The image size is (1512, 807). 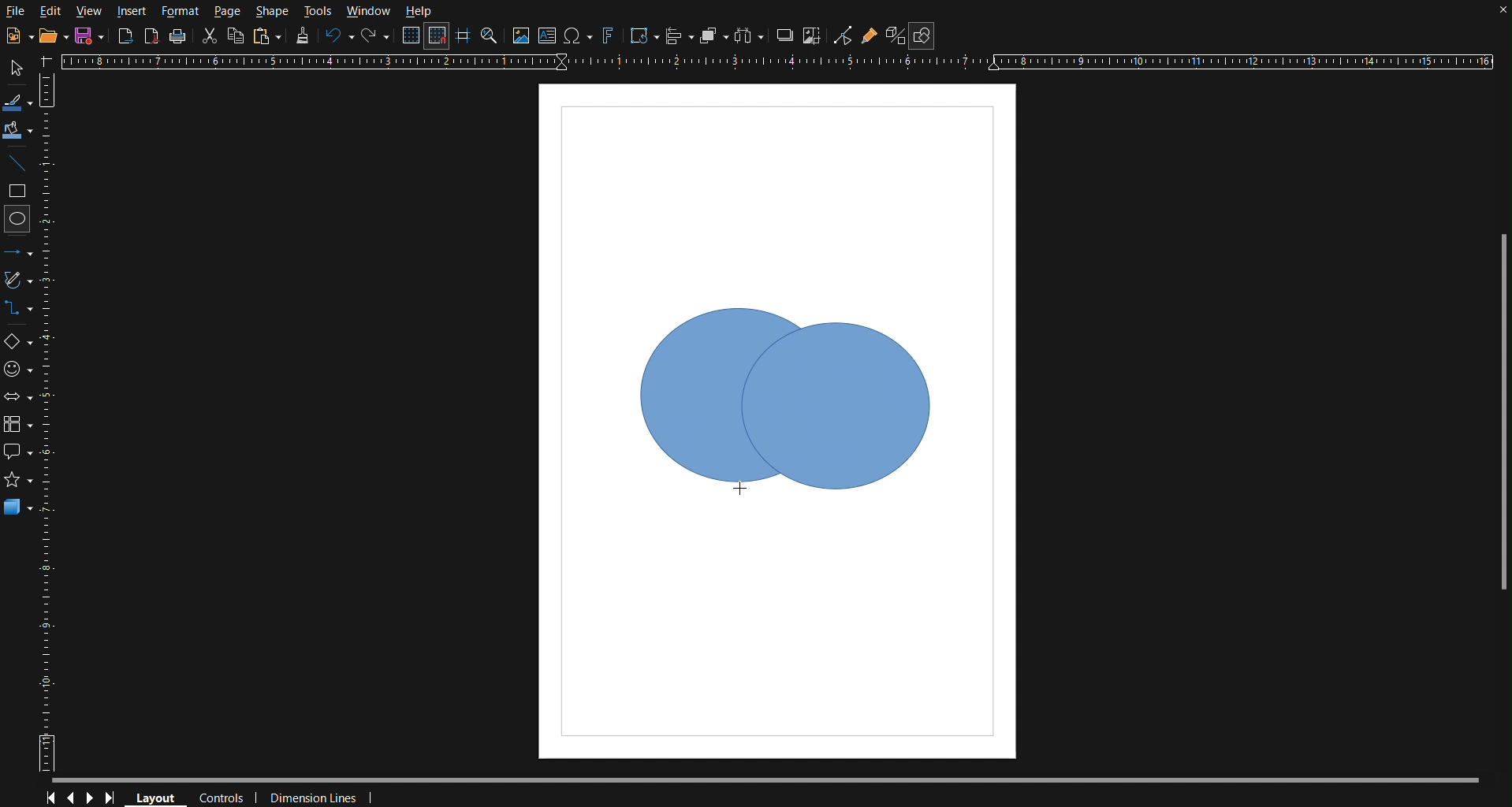 What do you see at coordinates (17, 338) in the screenshot?
I see `Basic Shapes` at bounding box center [17, 338].